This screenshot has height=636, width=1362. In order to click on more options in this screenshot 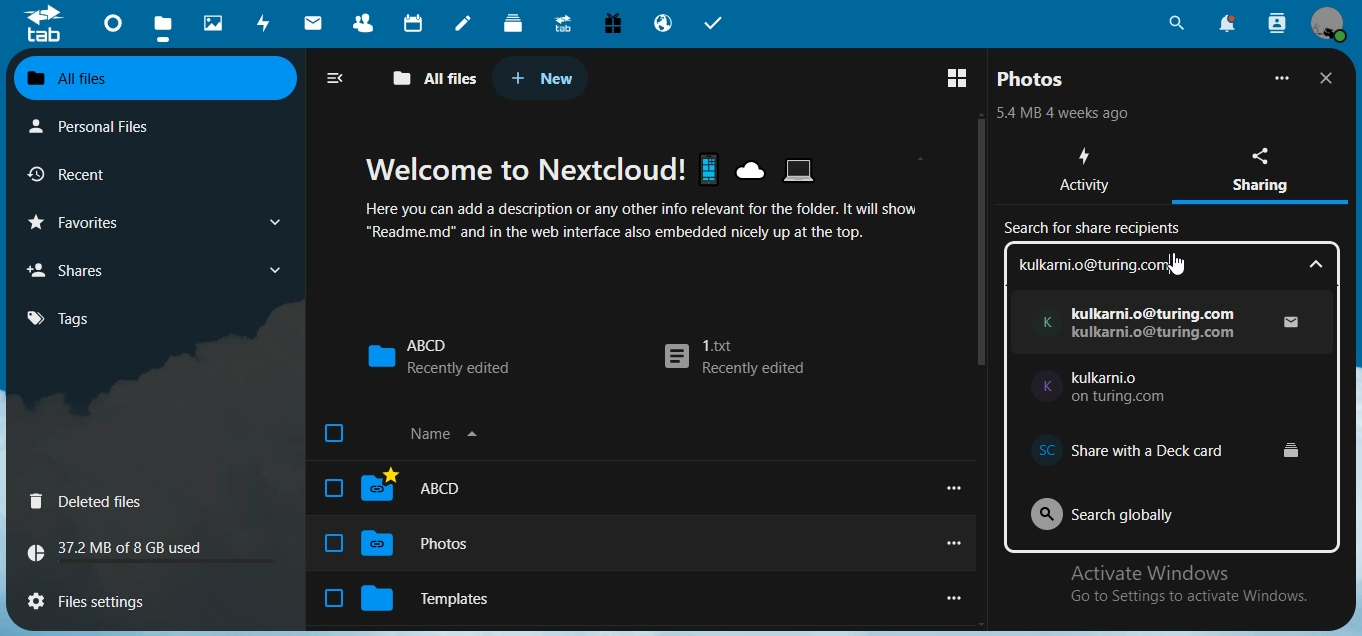, I will do `click(954, 487)`.